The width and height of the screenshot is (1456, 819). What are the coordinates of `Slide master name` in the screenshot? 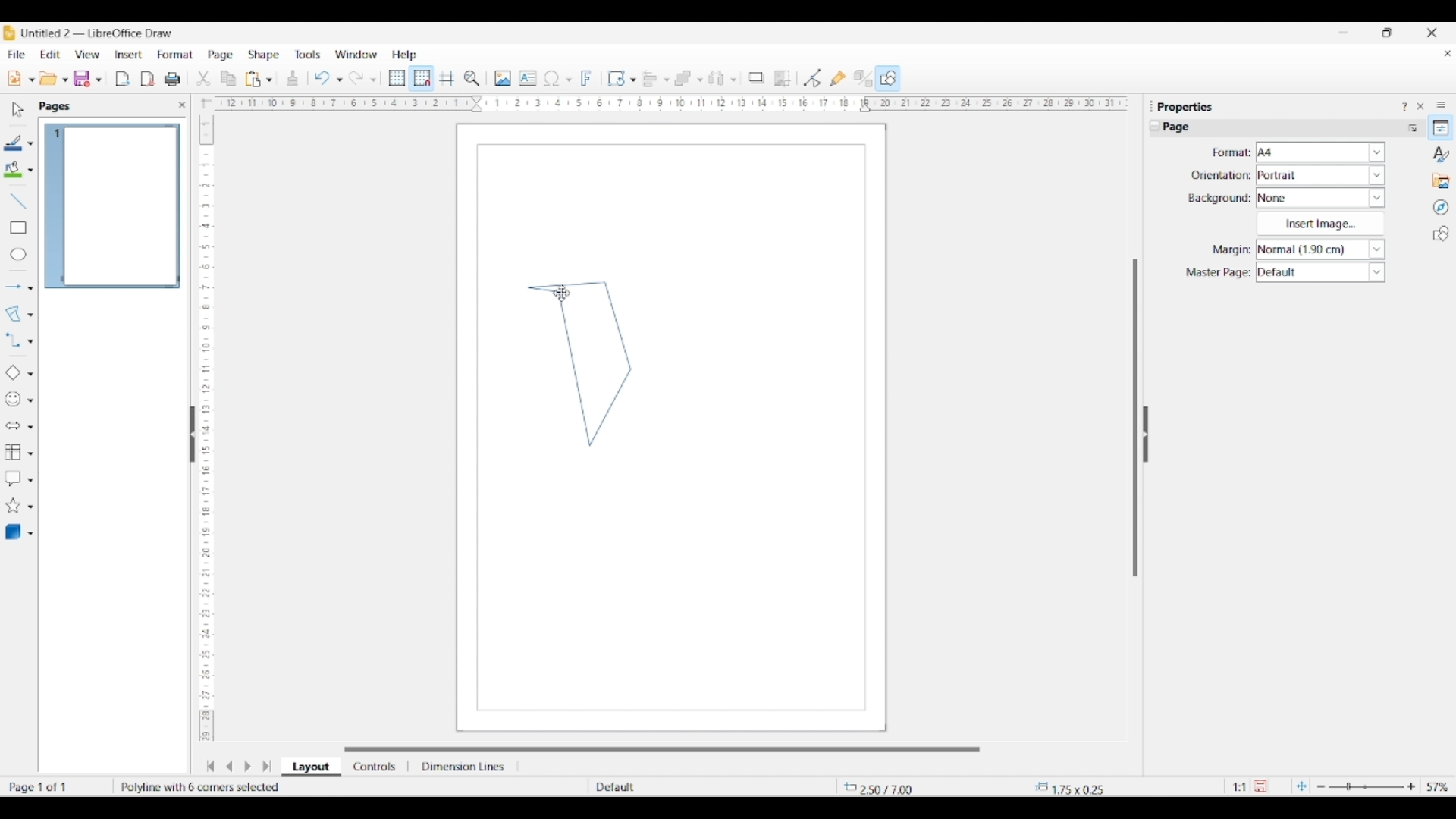 It's located at (680, 788).